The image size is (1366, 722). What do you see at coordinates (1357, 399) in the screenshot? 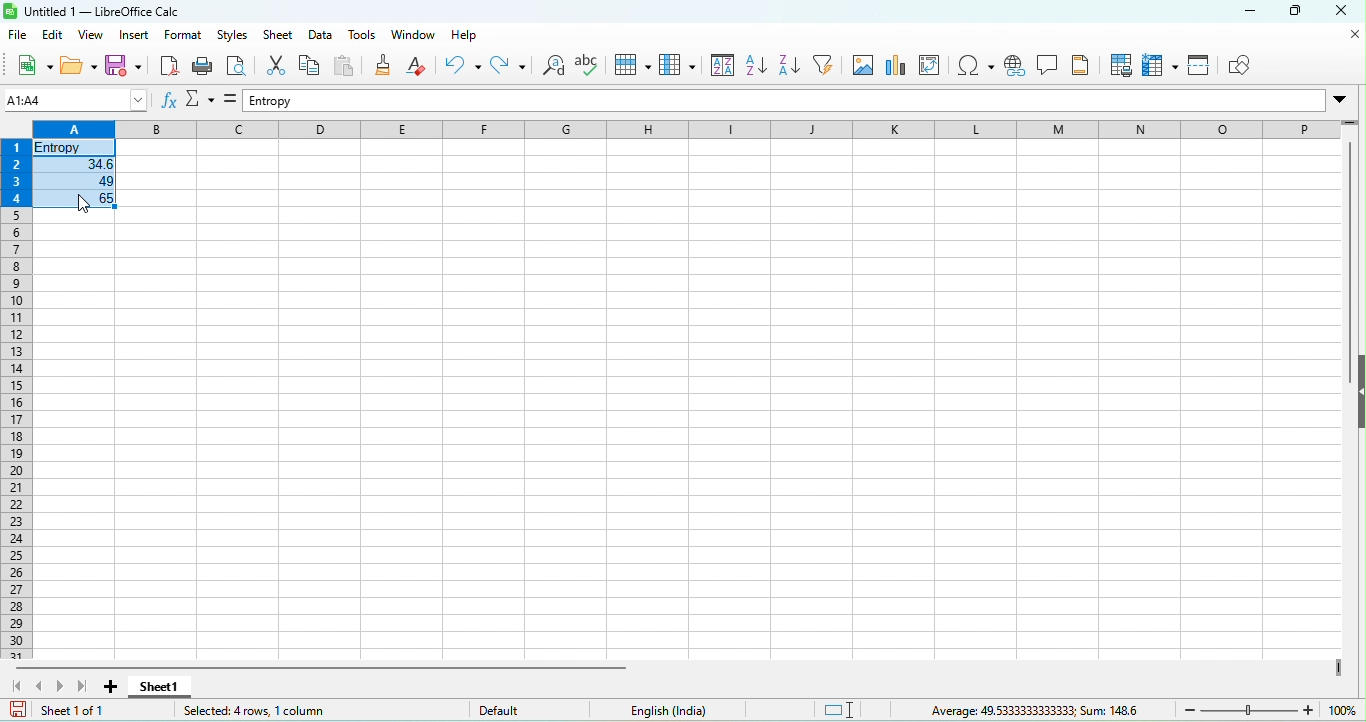
I see `height` at bounding box center [1357, 399].